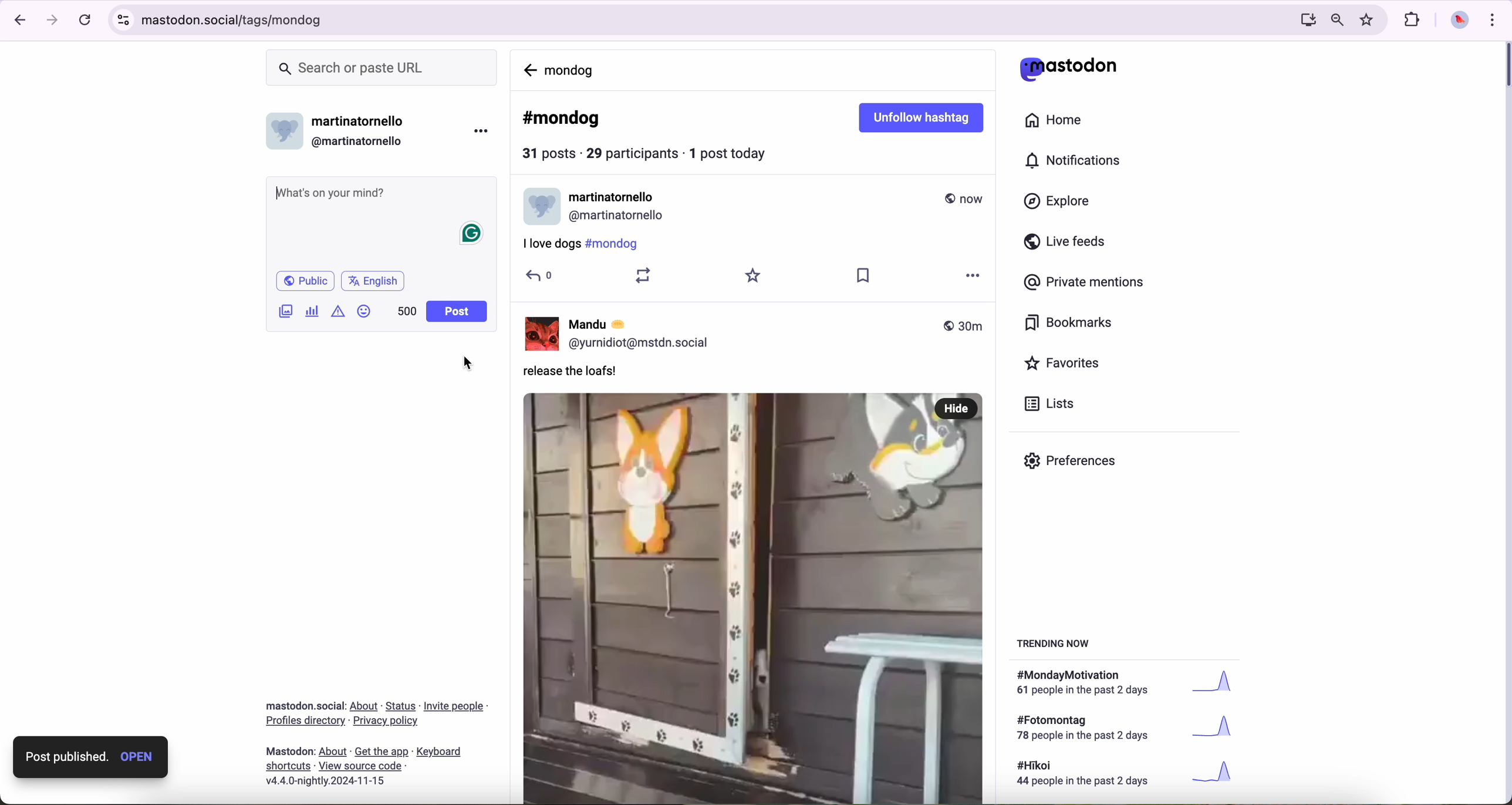  I want to click on #corgi, so click(667, 745).